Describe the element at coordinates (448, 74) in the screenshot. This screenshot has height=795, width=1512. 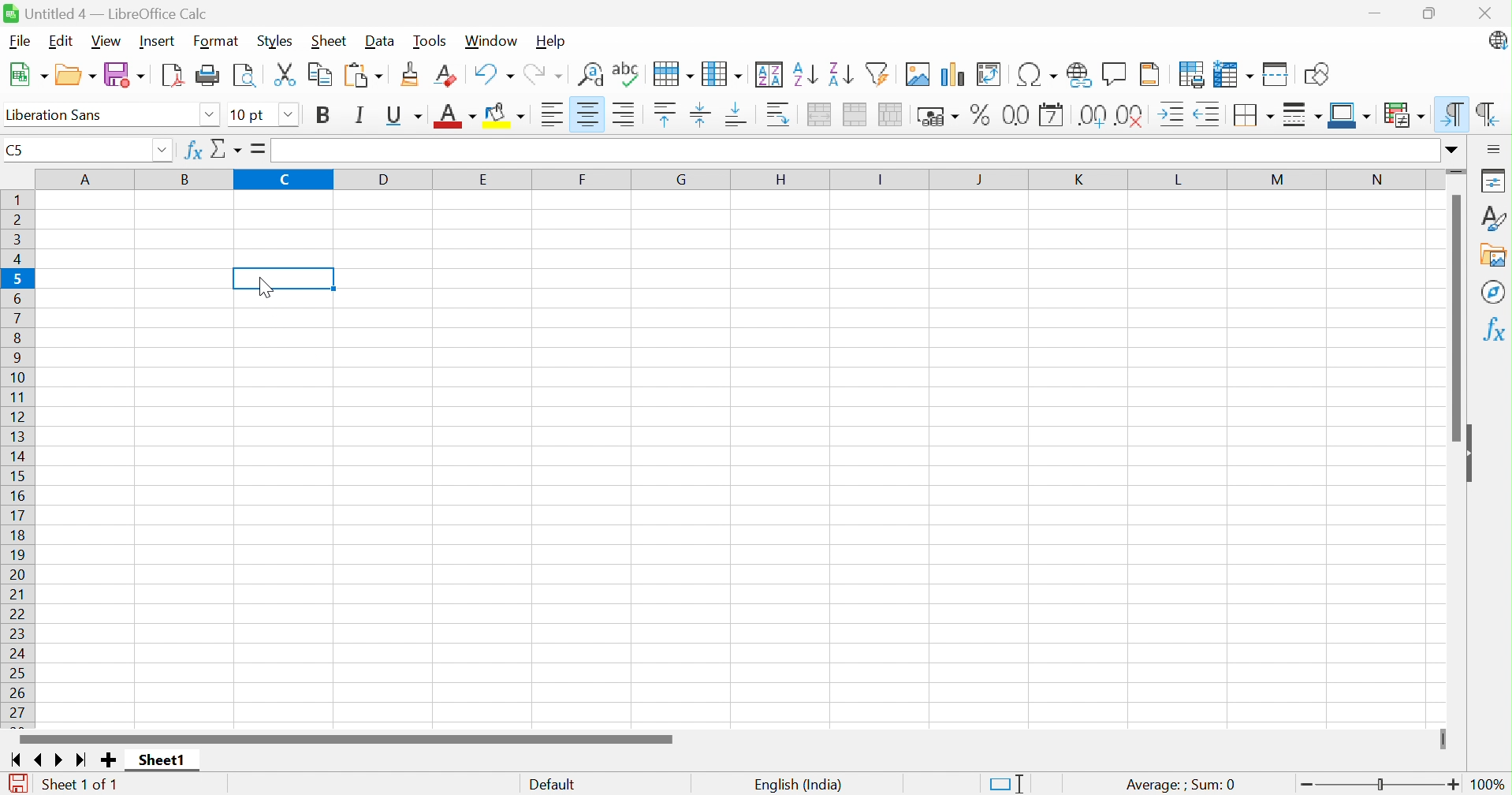
I see `Clear Direct Formatting` at that location.